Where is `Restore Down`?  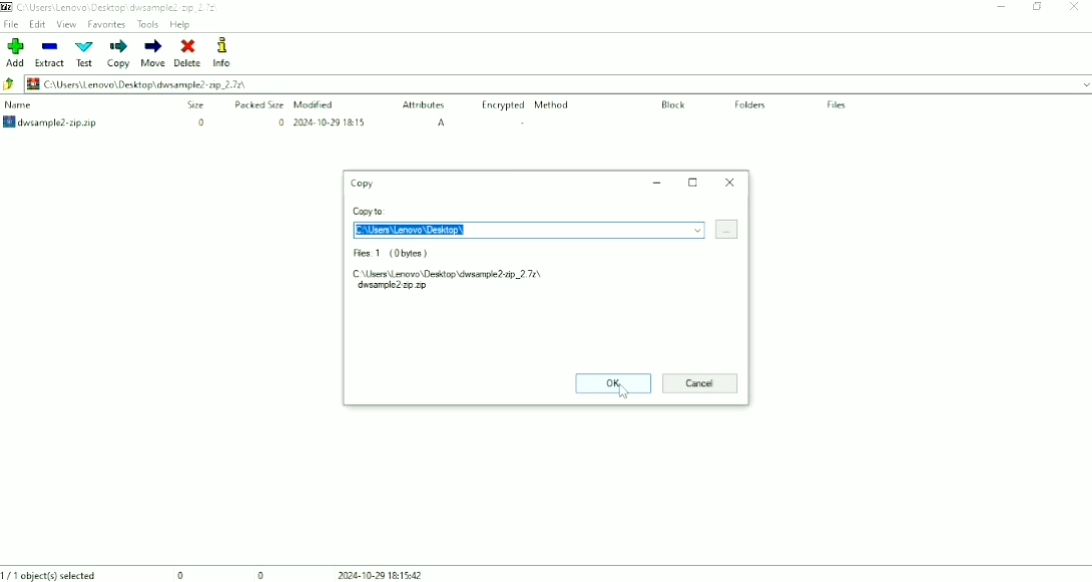 Restore Down is located at coordinates (1039, 7).